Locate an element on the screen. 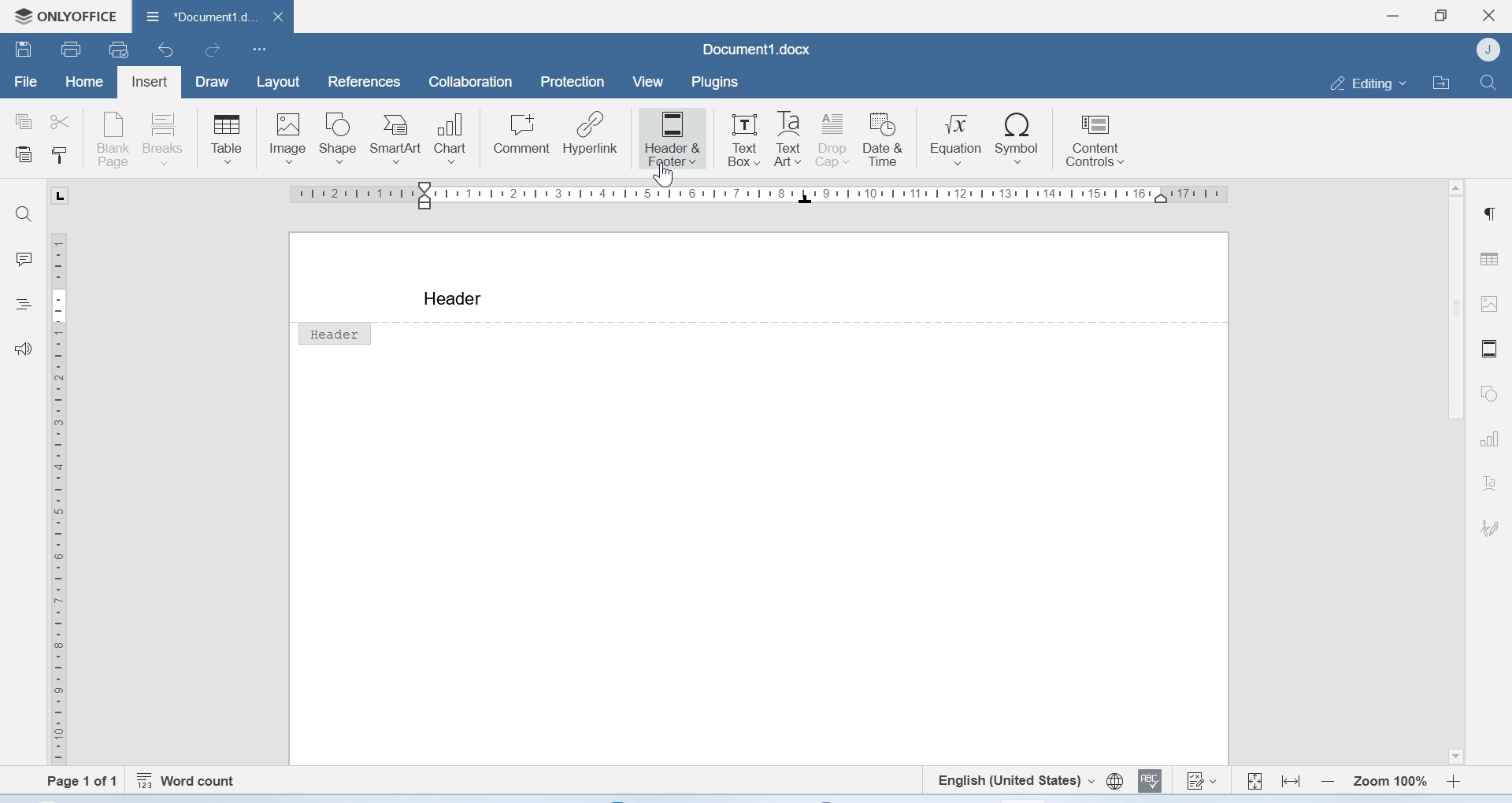  Header is located at coordinates (450, 298).